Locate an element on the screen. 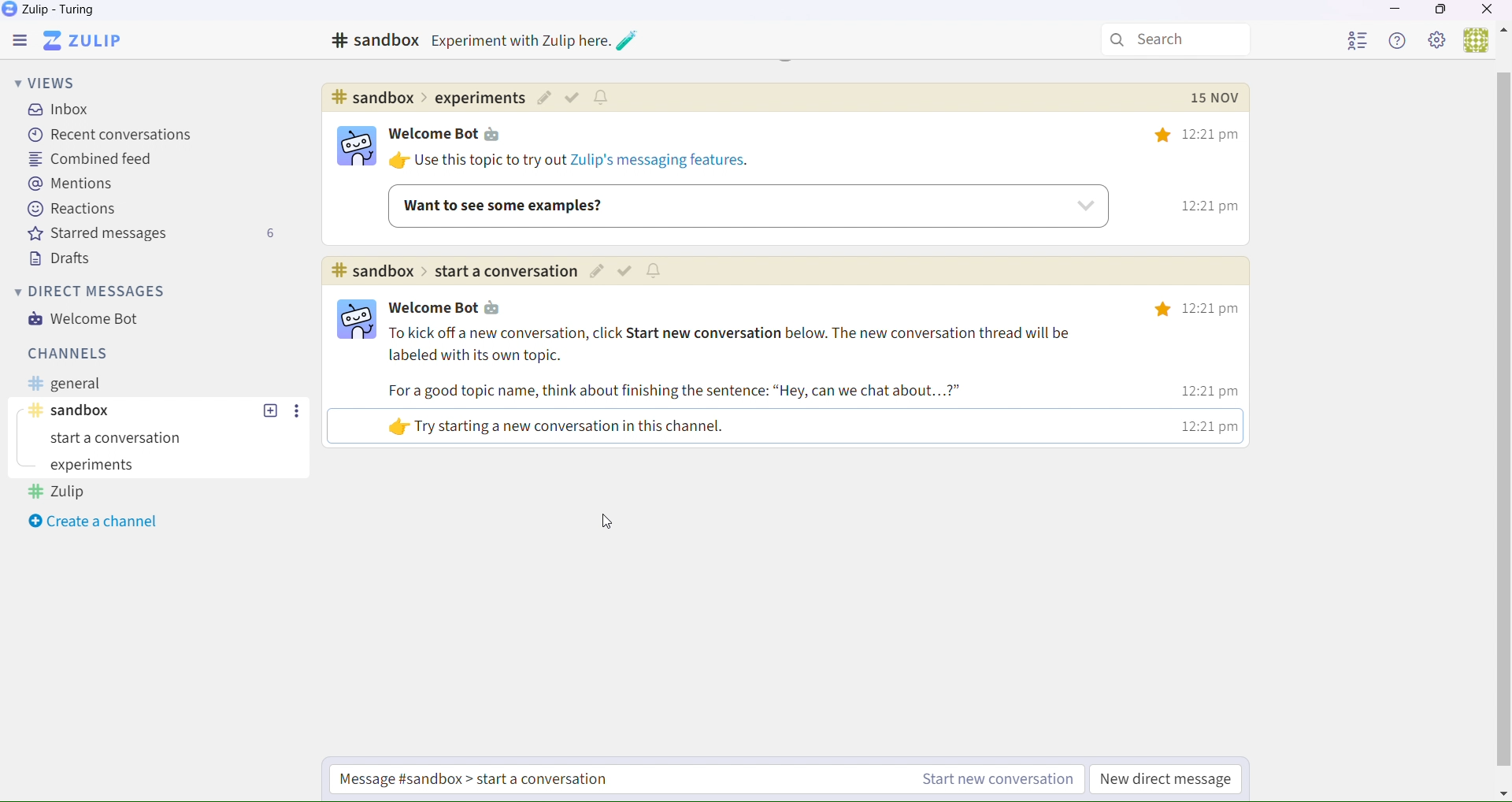 This screenshot has height=802, width=1512.  is located at coordinates (1214, 96).